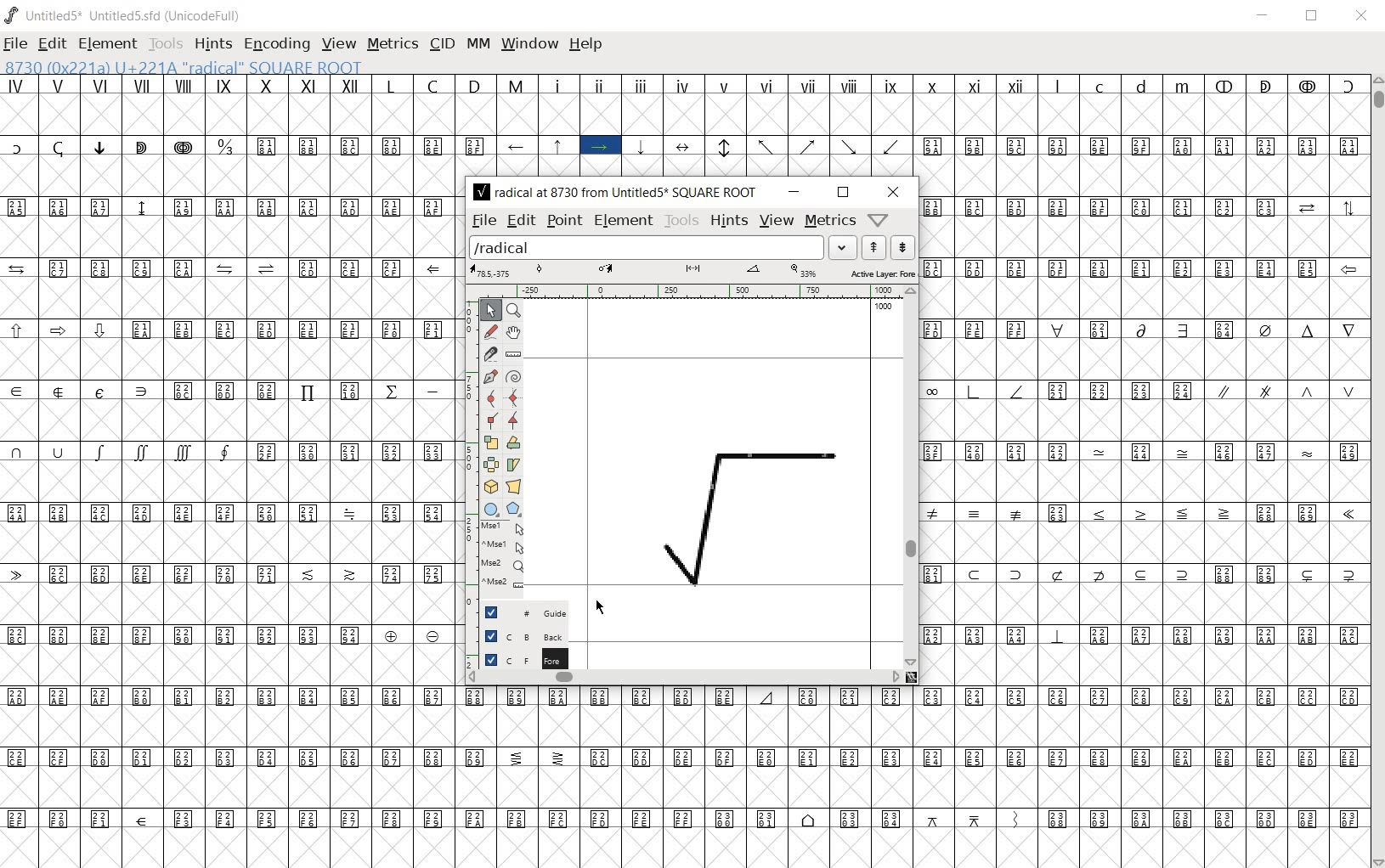 This screenshot has width=1385, height=868. What do you see at coordinates (482, 222) in the screenshot?
I see `file` at bounding box center [482, 222].